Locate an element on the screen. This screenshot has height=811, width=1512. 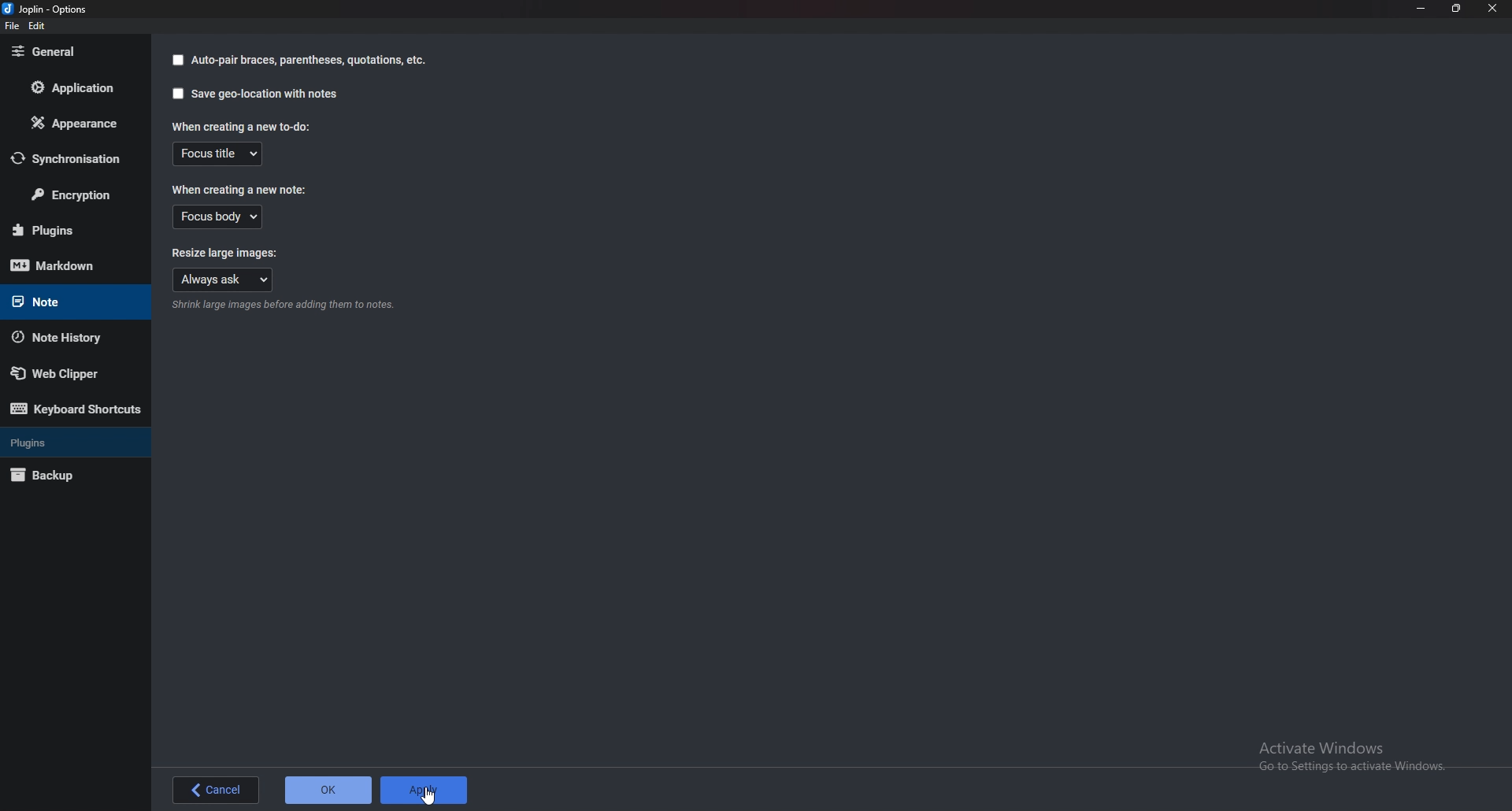
joplin is located at coordinates (48, 9).